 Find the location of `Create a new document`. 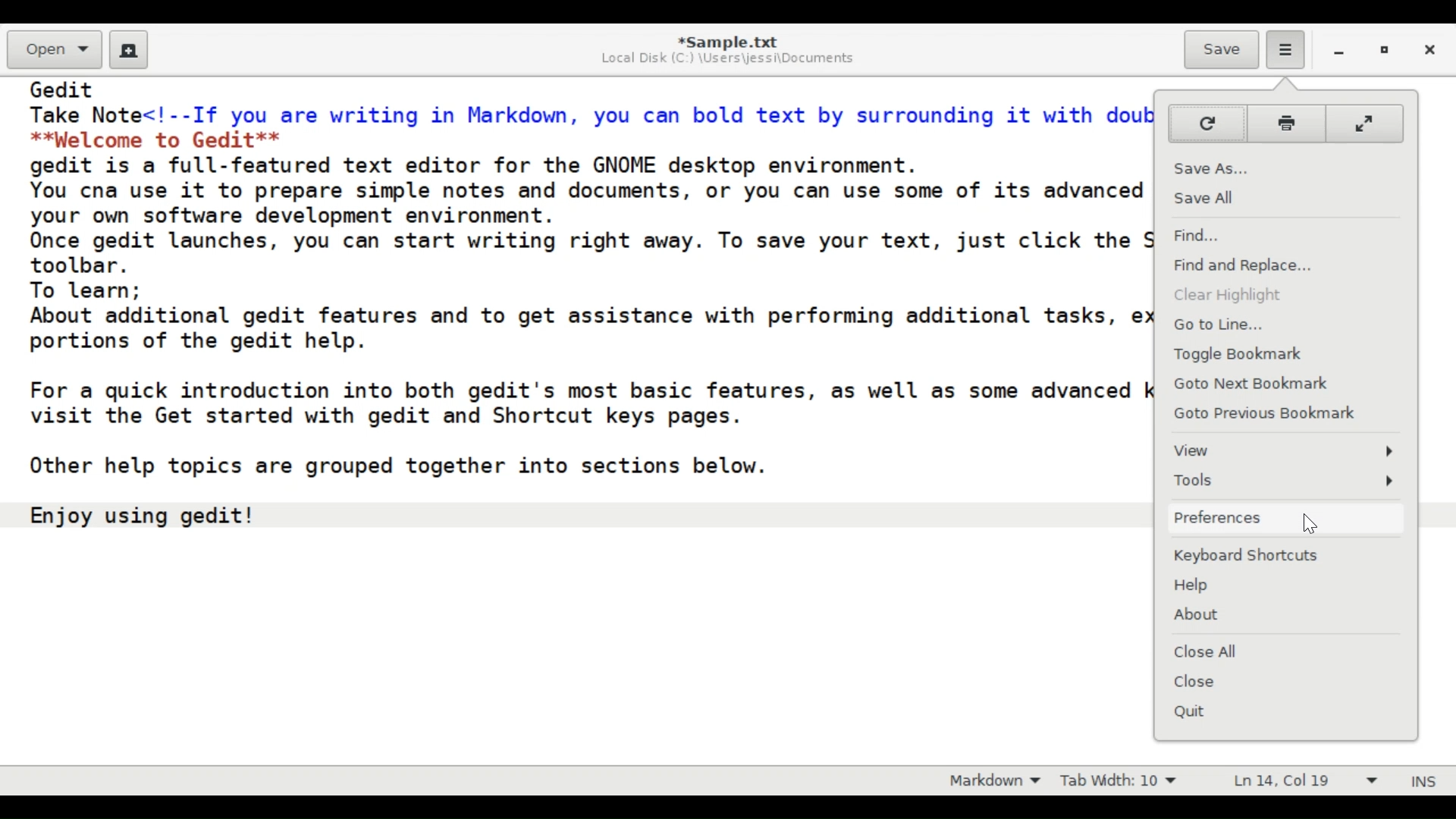

Create a new document is located at coordinates (129, 50).